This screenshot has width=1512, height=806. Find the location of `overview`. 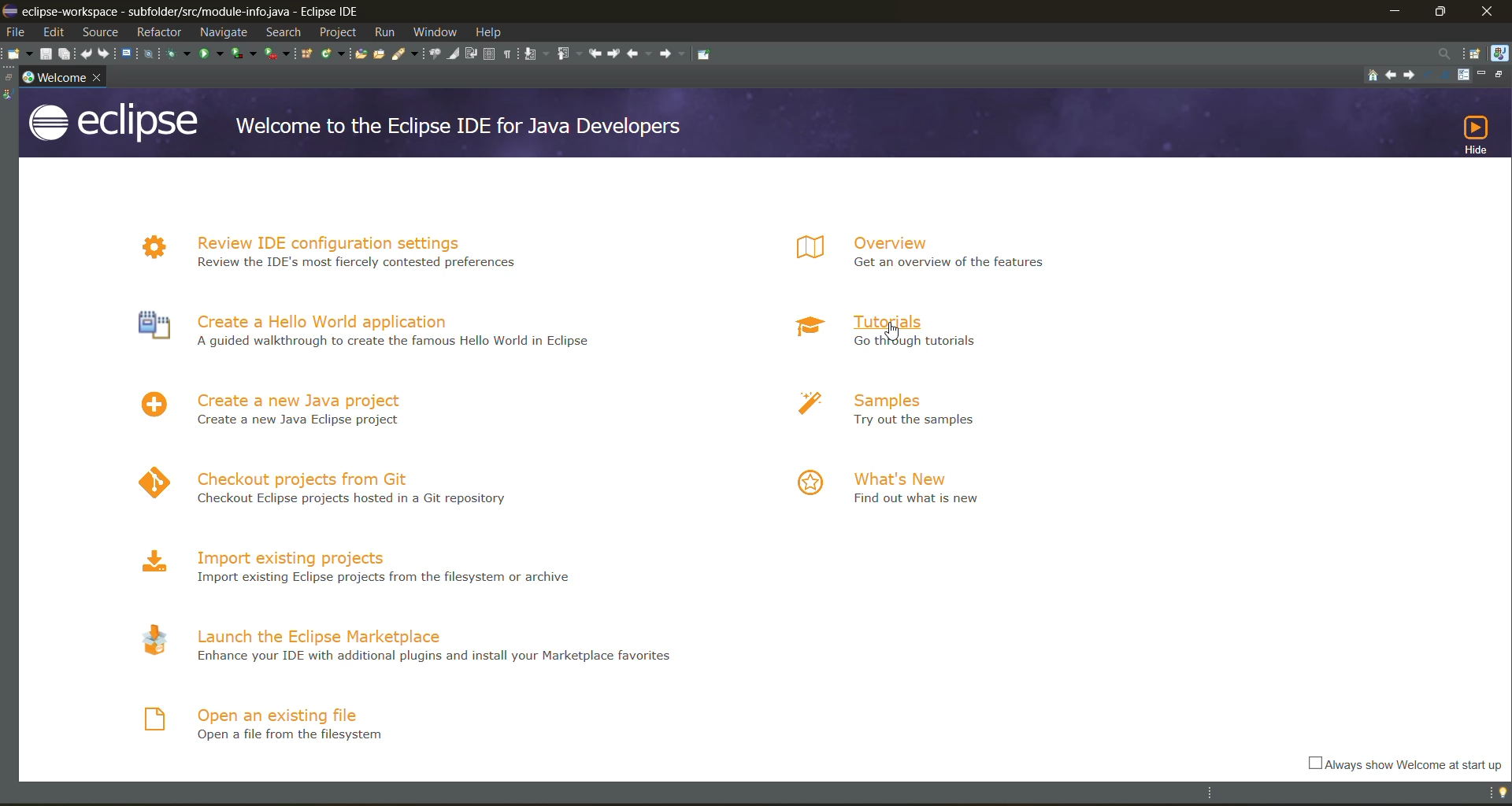

overview is located at coordinates (928, 252).